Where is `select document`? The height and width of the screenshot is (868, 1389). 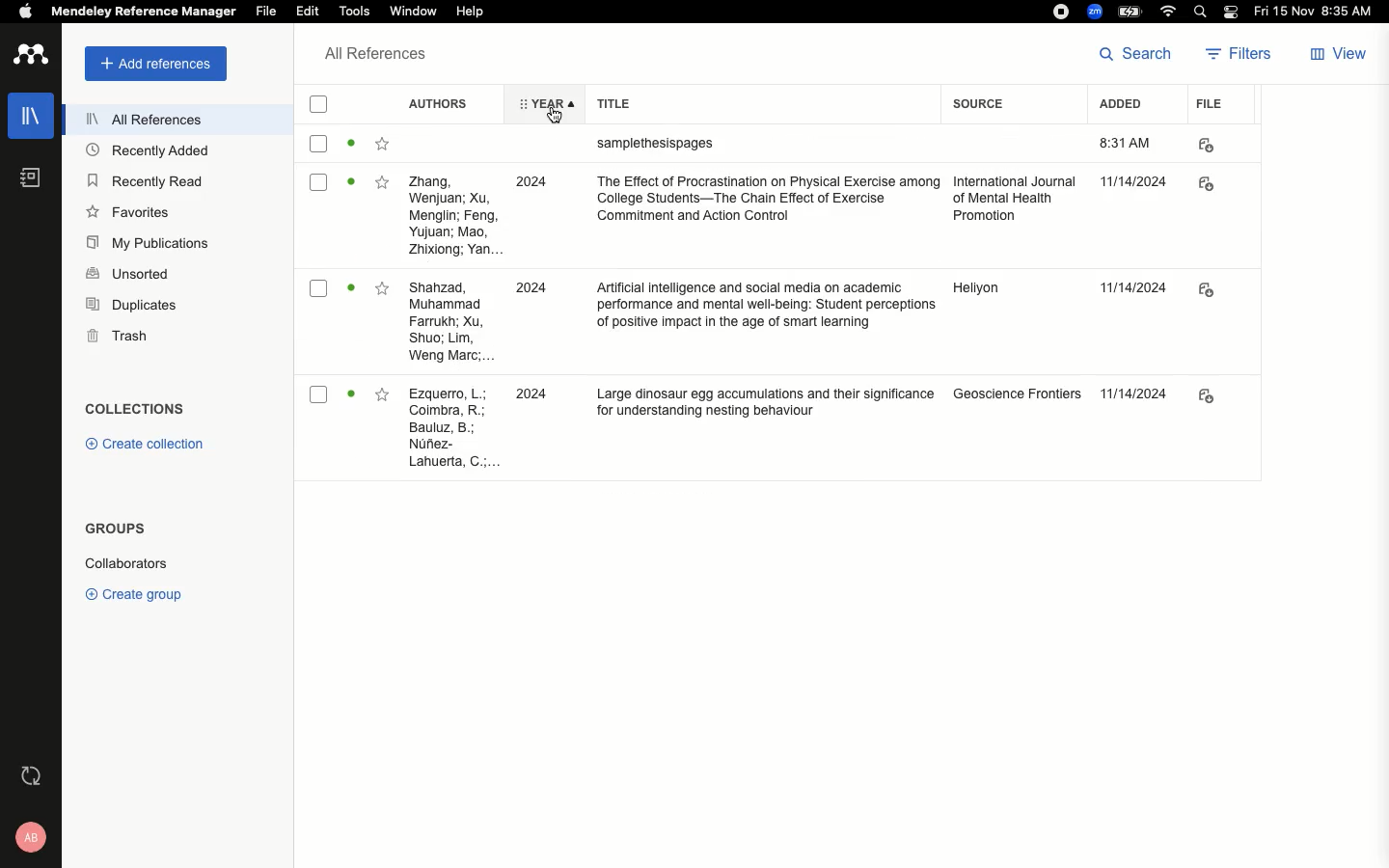
select document is located at coordinates (318, 395).